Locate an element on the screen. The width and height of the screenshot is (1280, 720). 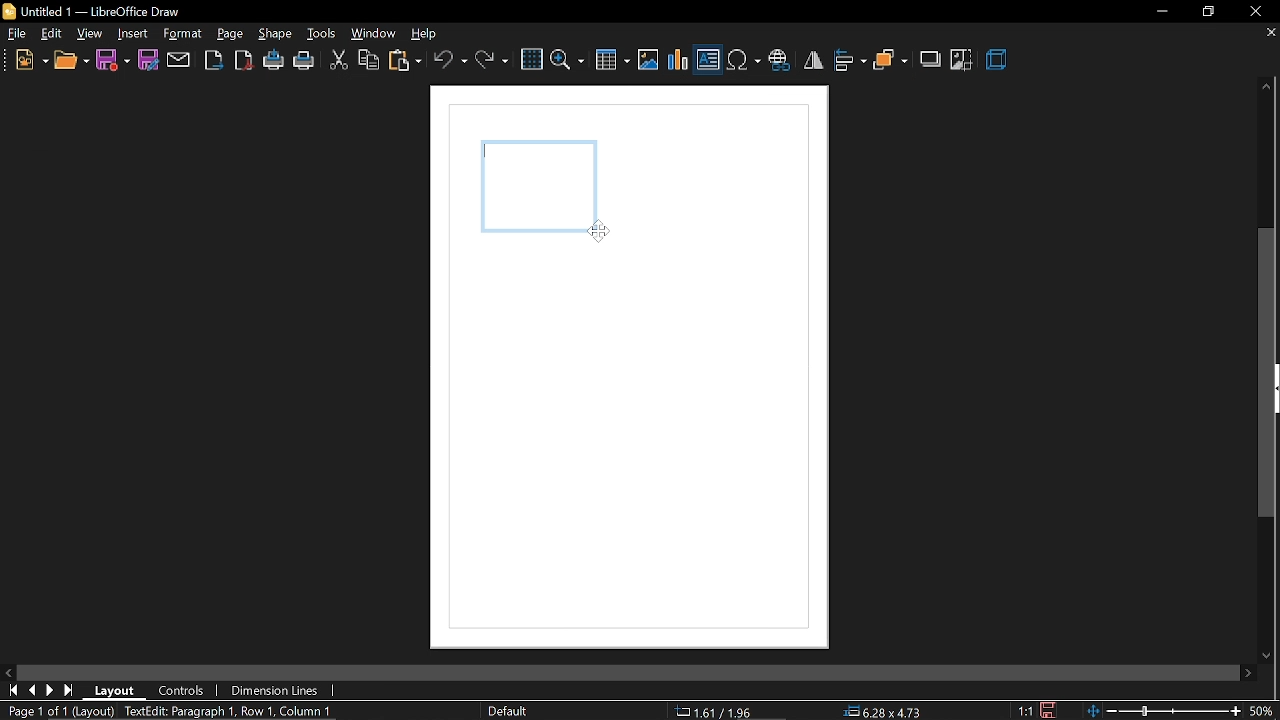
shadow is located at coordinates (932, 58).